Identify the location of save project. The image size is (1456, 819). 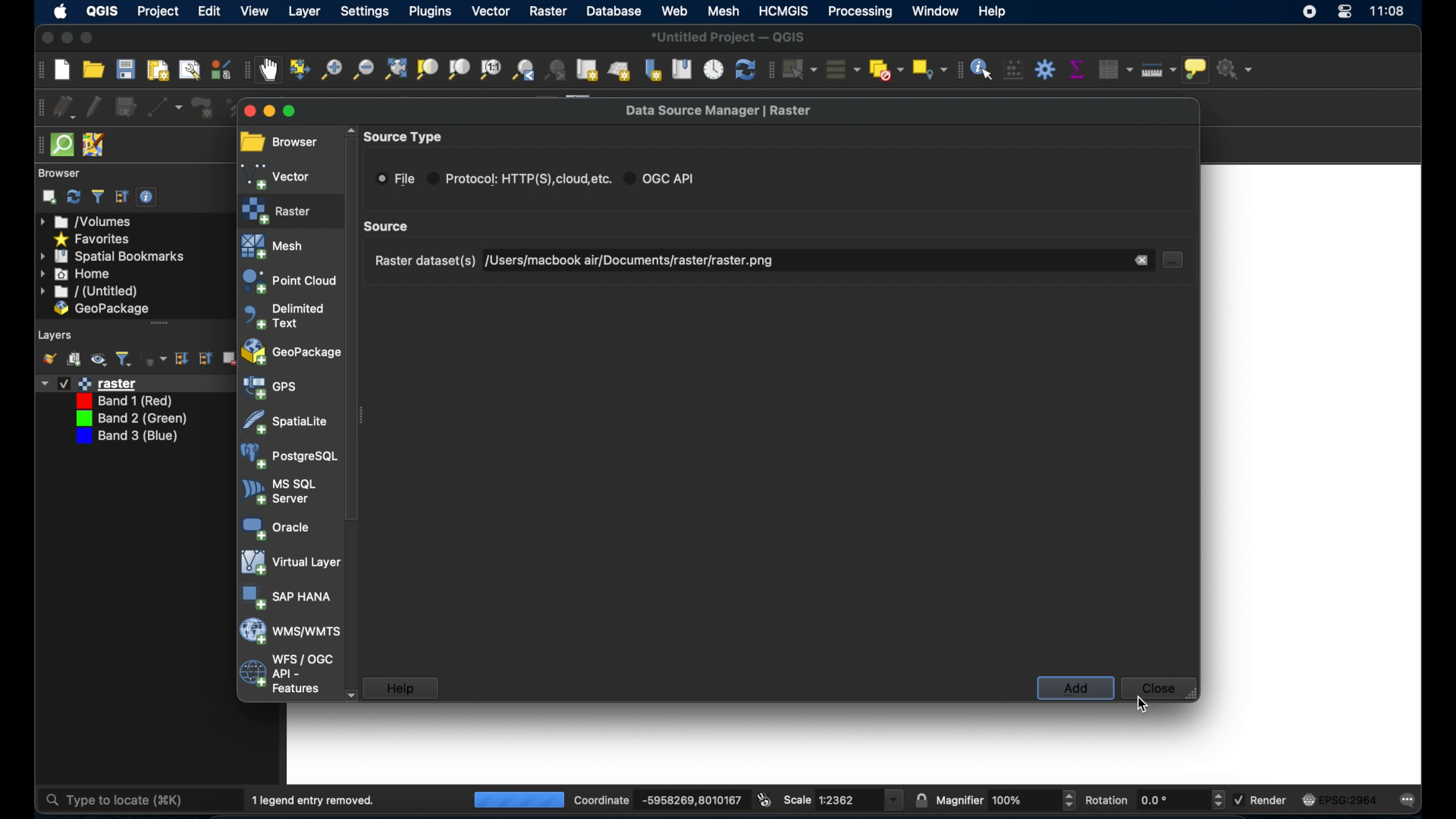
(126, 70).